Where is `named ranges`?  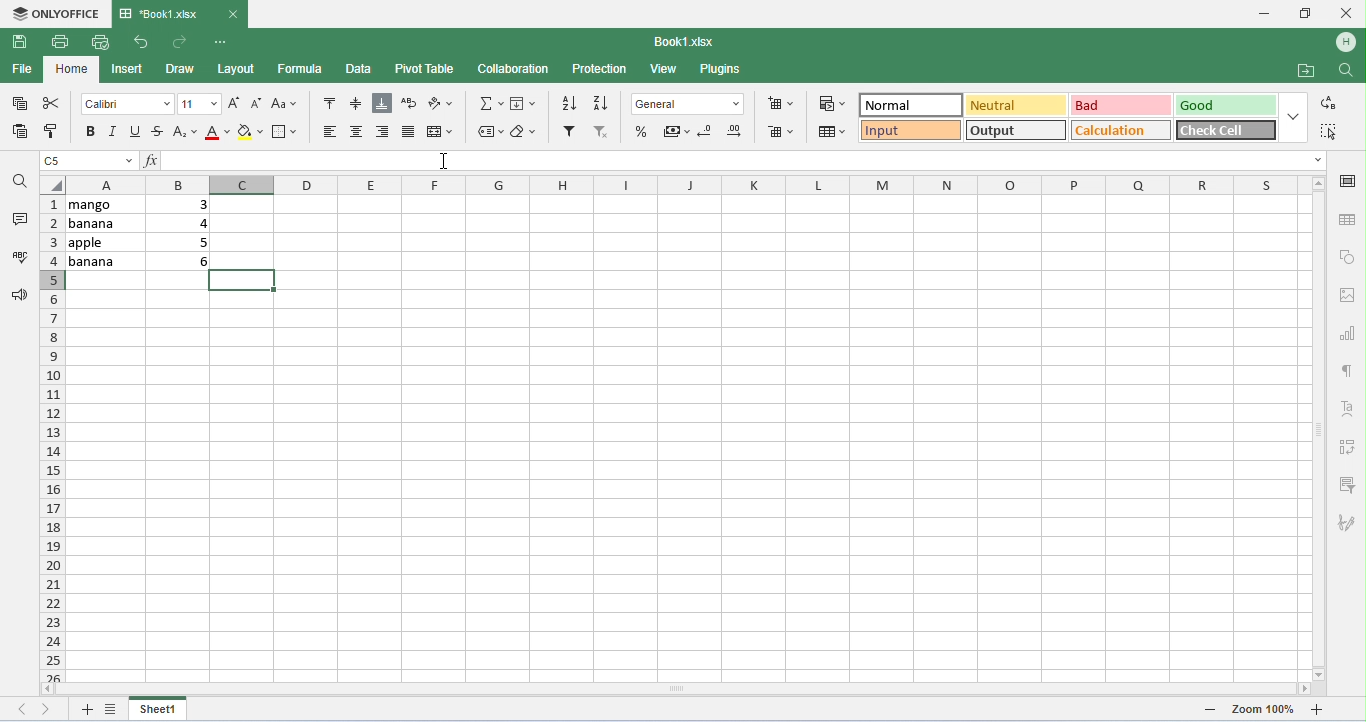
named ranges is located at coordinates (490, 132).